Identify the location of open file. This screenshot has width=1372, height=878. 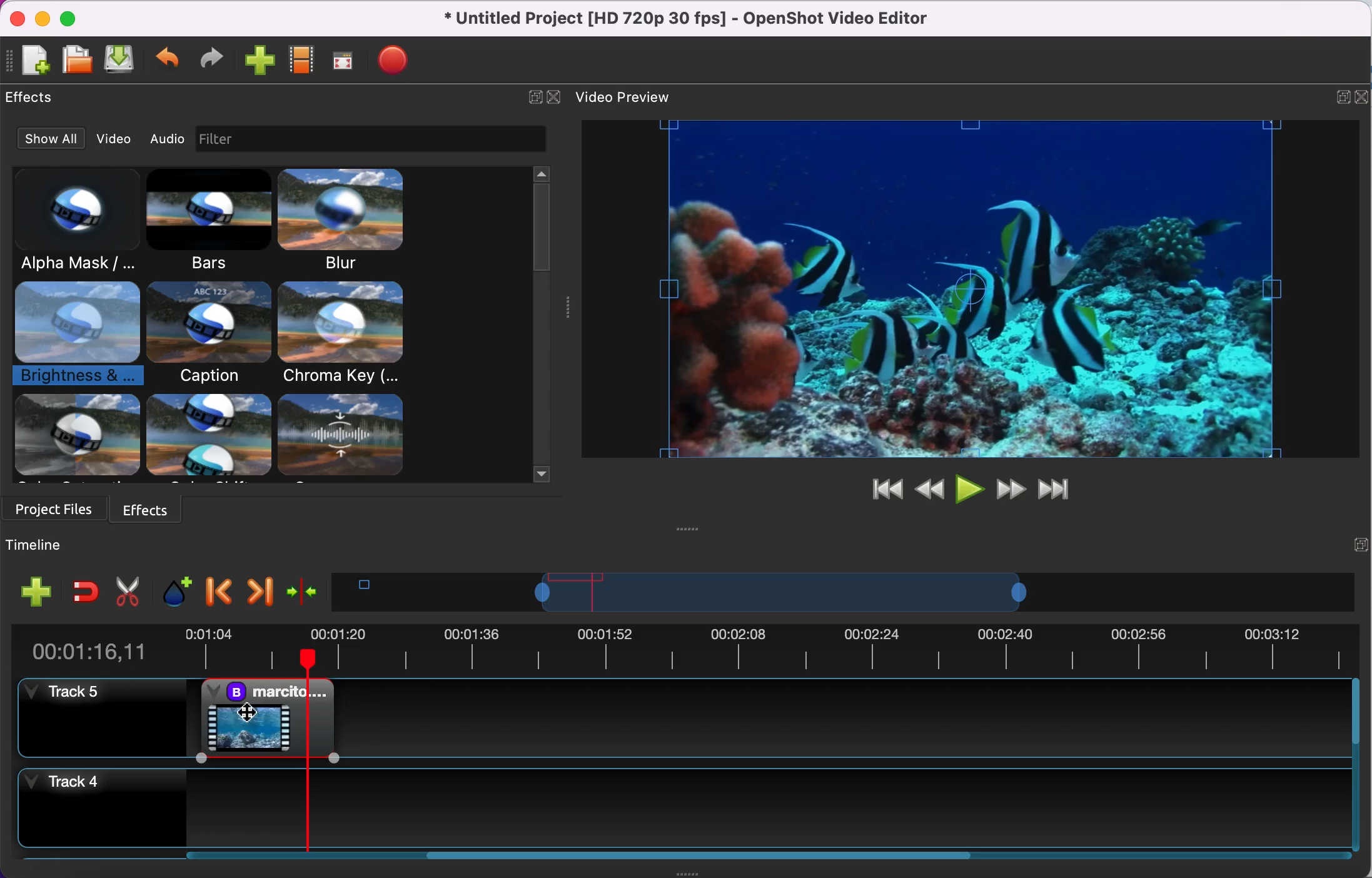
(76, 58).